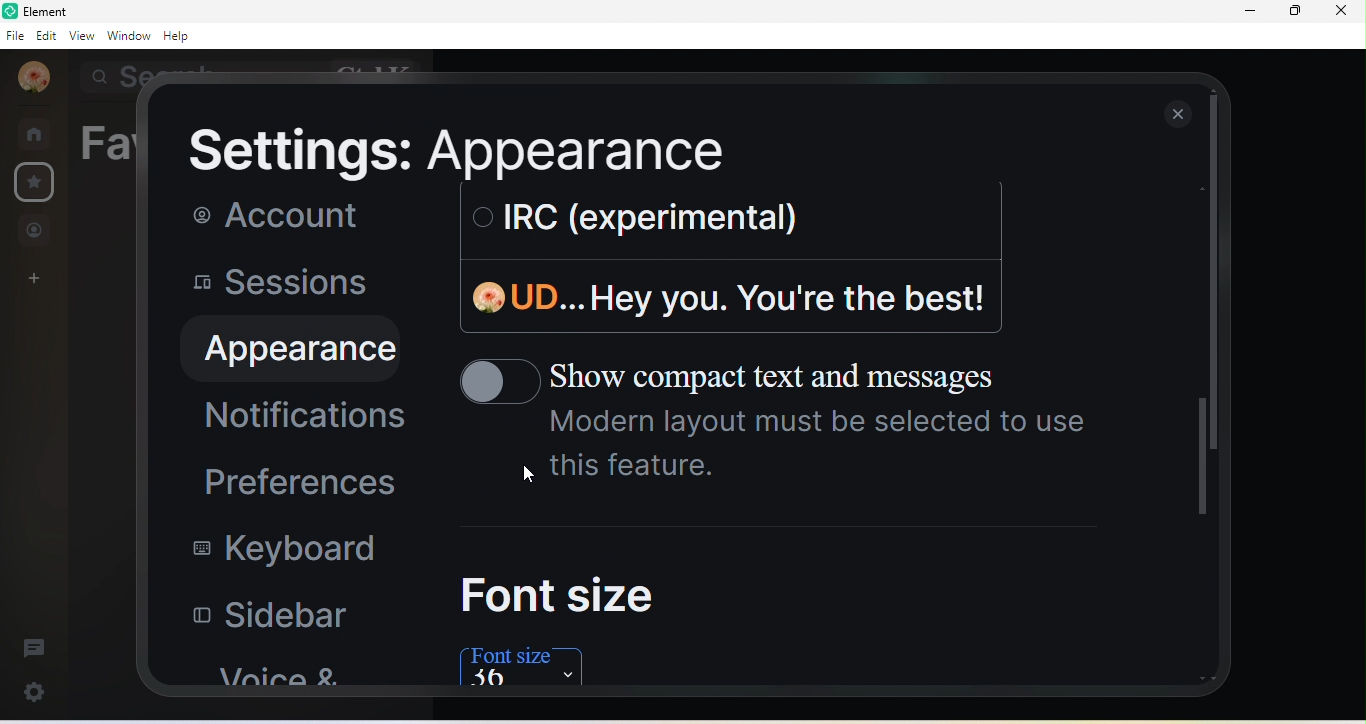  I want to click on thread, so click(32, 645).